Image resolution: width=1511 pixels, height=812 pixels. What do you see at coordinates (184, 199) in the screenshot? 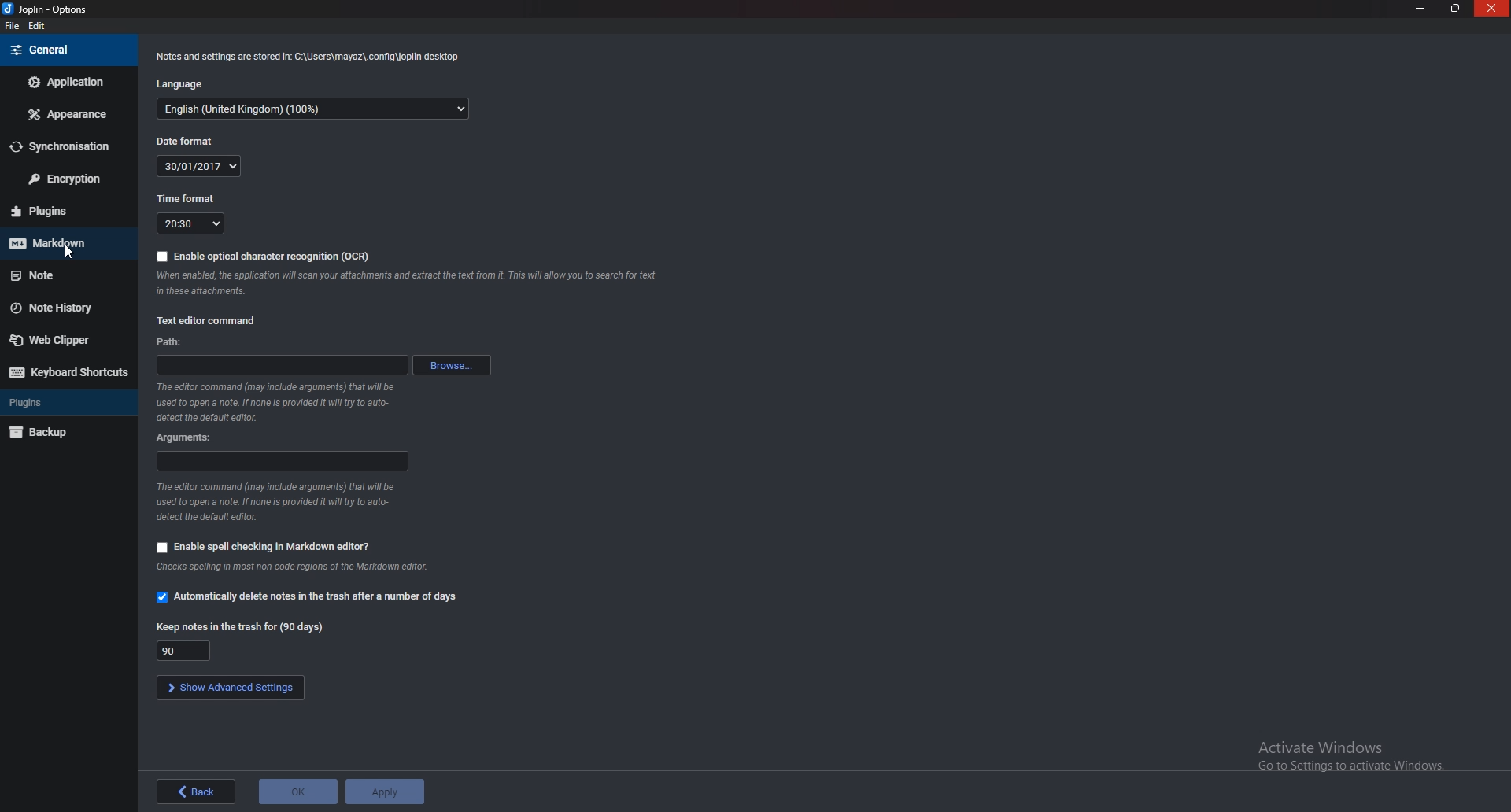
I see `Time format` at bounding box center [184, 199].